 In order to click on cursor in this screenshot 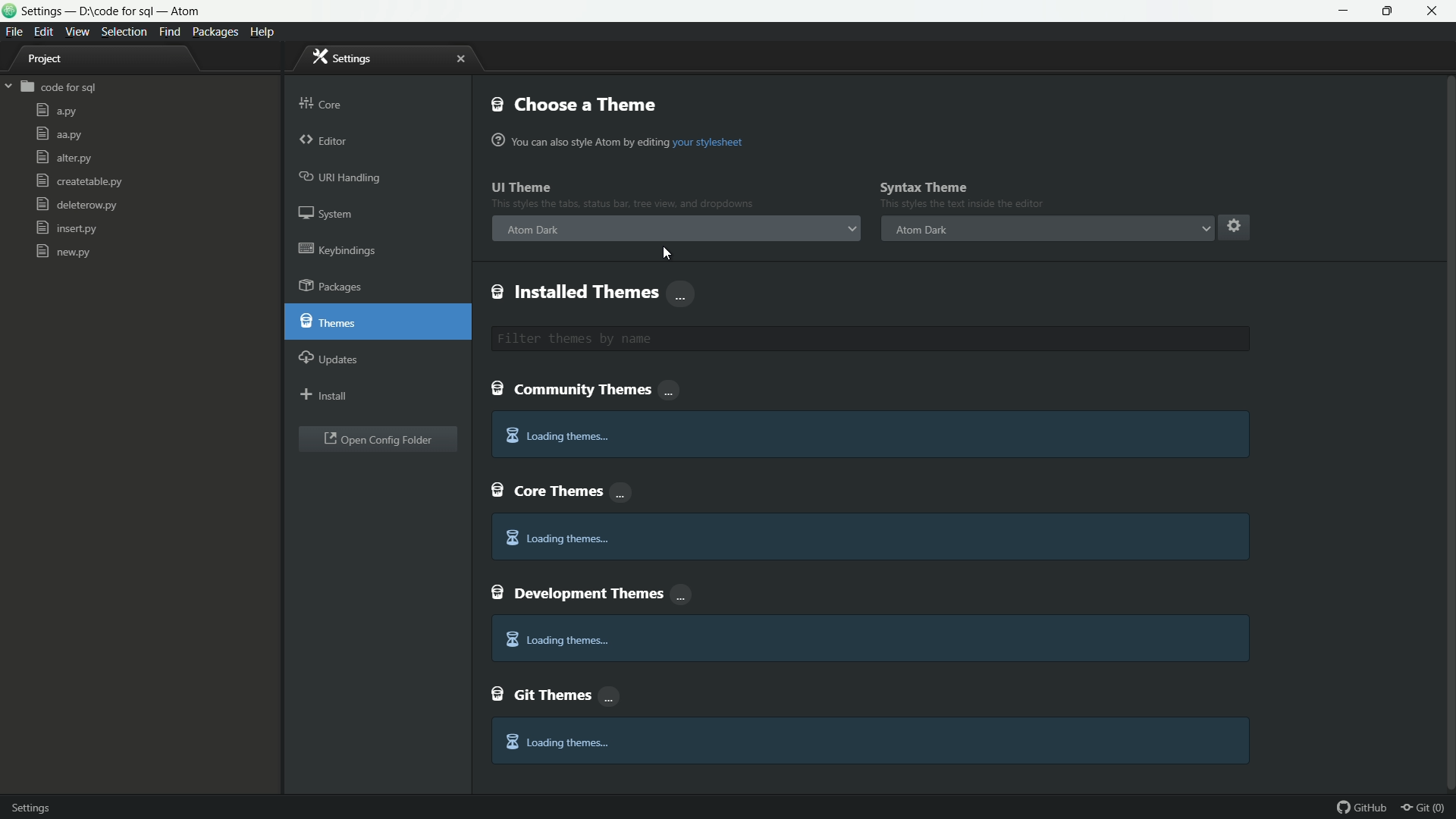, I will do `click(664, 252)`.